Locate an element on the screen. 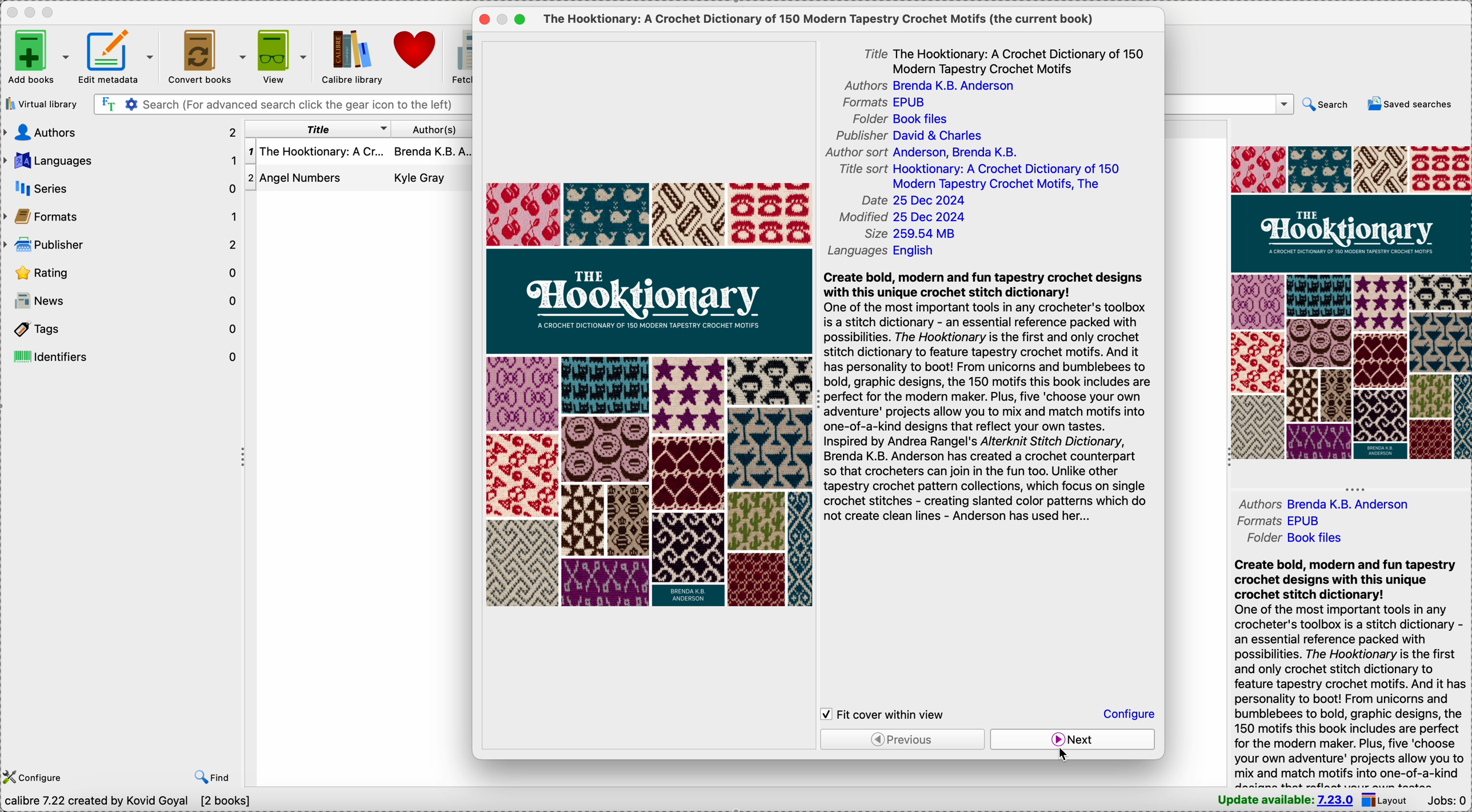  formats is located at coordinates (888, 103).